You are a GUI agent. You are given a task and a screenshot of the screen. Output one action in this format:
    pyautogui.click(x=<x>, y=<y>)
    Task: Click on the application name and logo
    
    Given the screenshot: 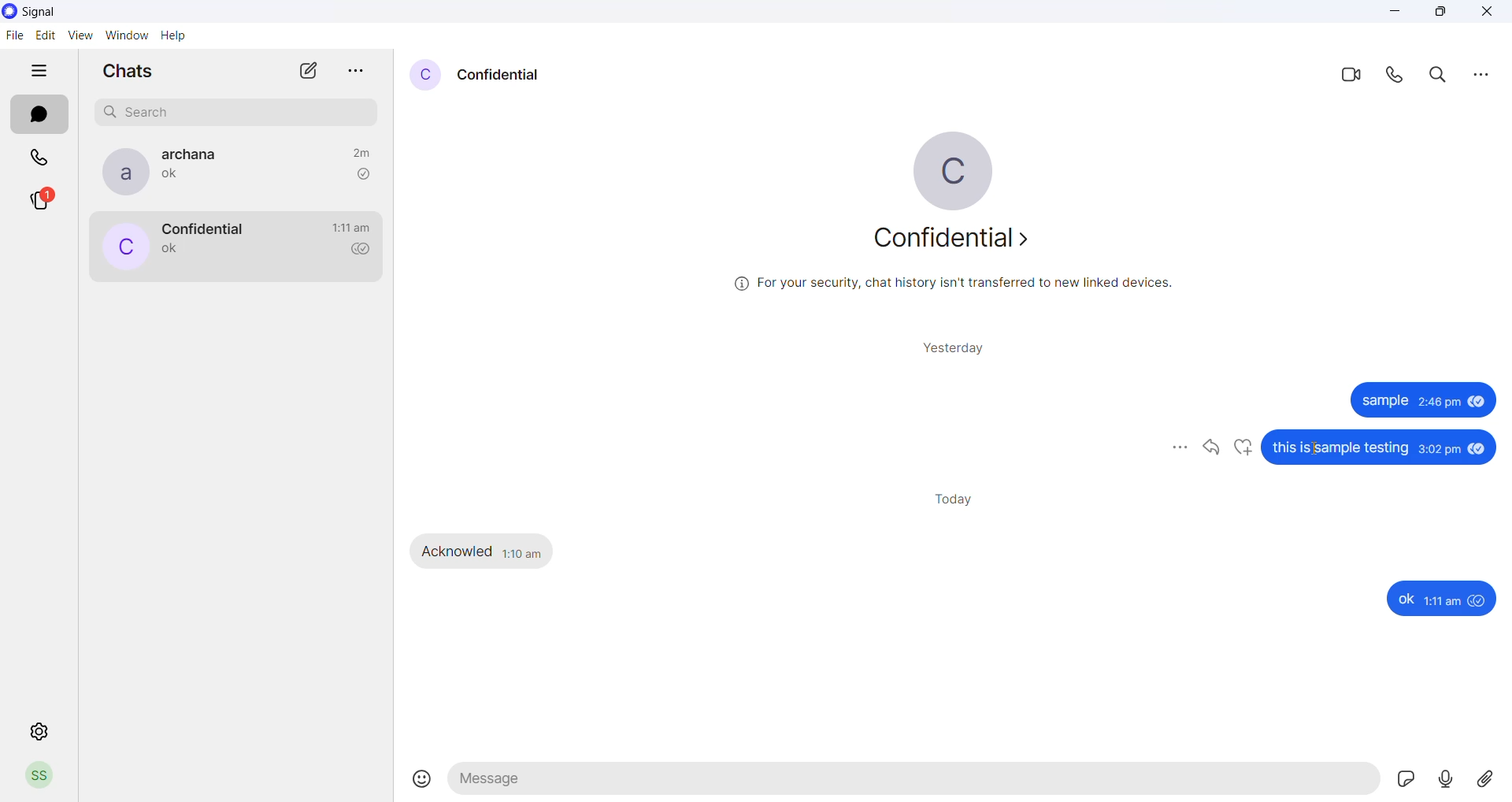 What is the action you would take?
    pyautogui.click(x=54, y=11)
    